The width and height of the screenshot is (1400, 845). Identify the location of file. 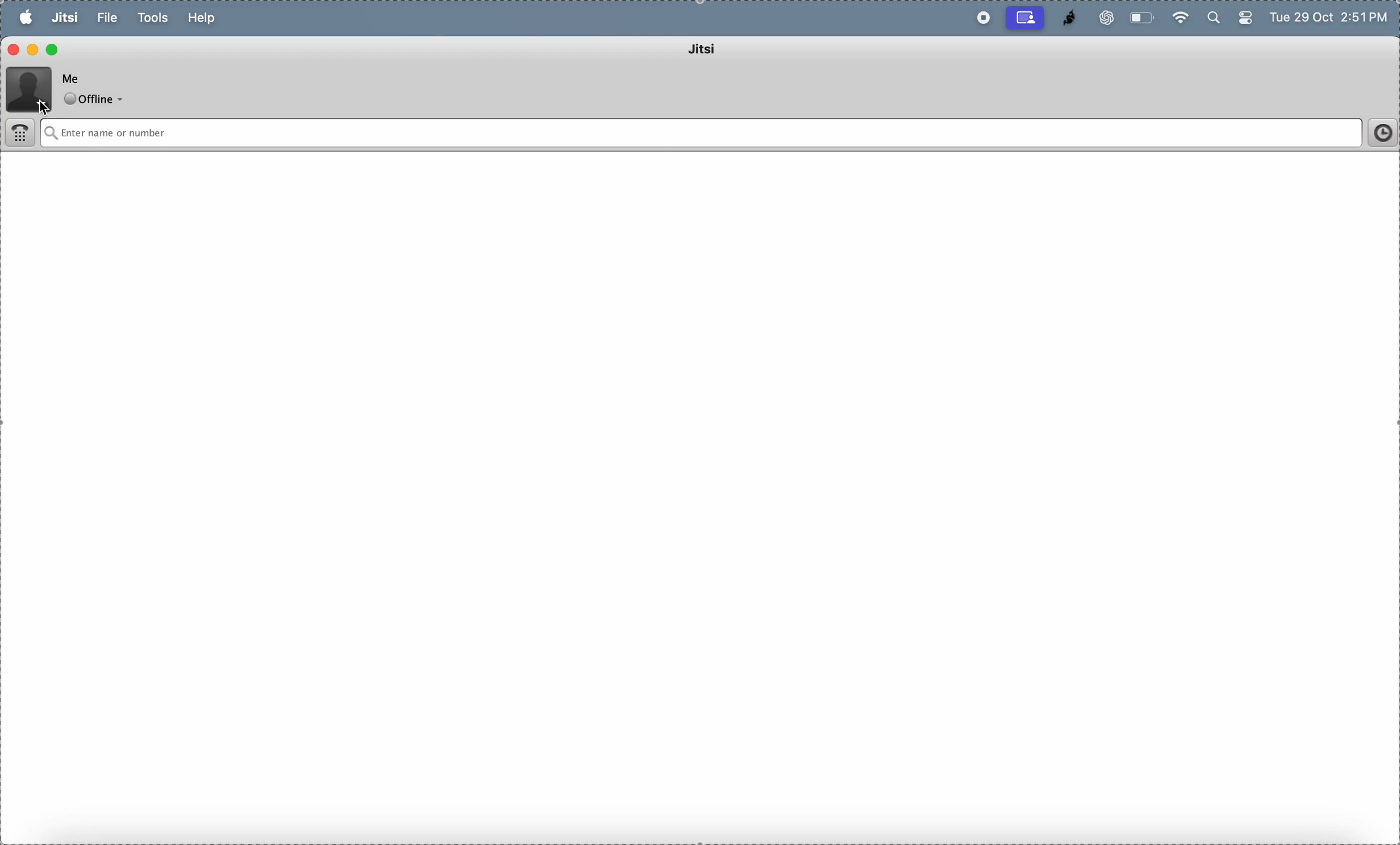
(108, 18).